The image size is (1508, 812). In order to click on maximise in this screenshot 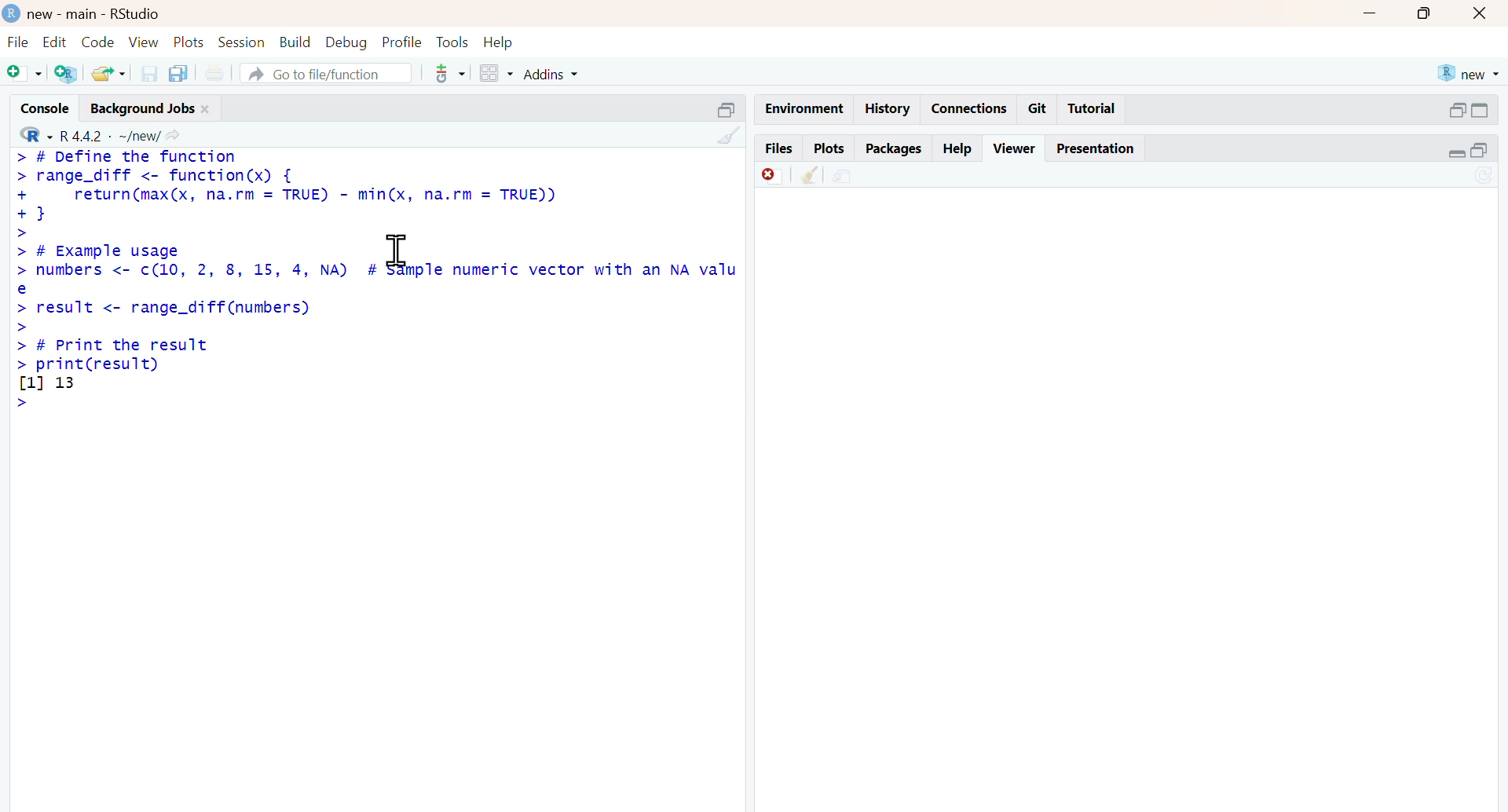, I will do `click(1426, 12)`.